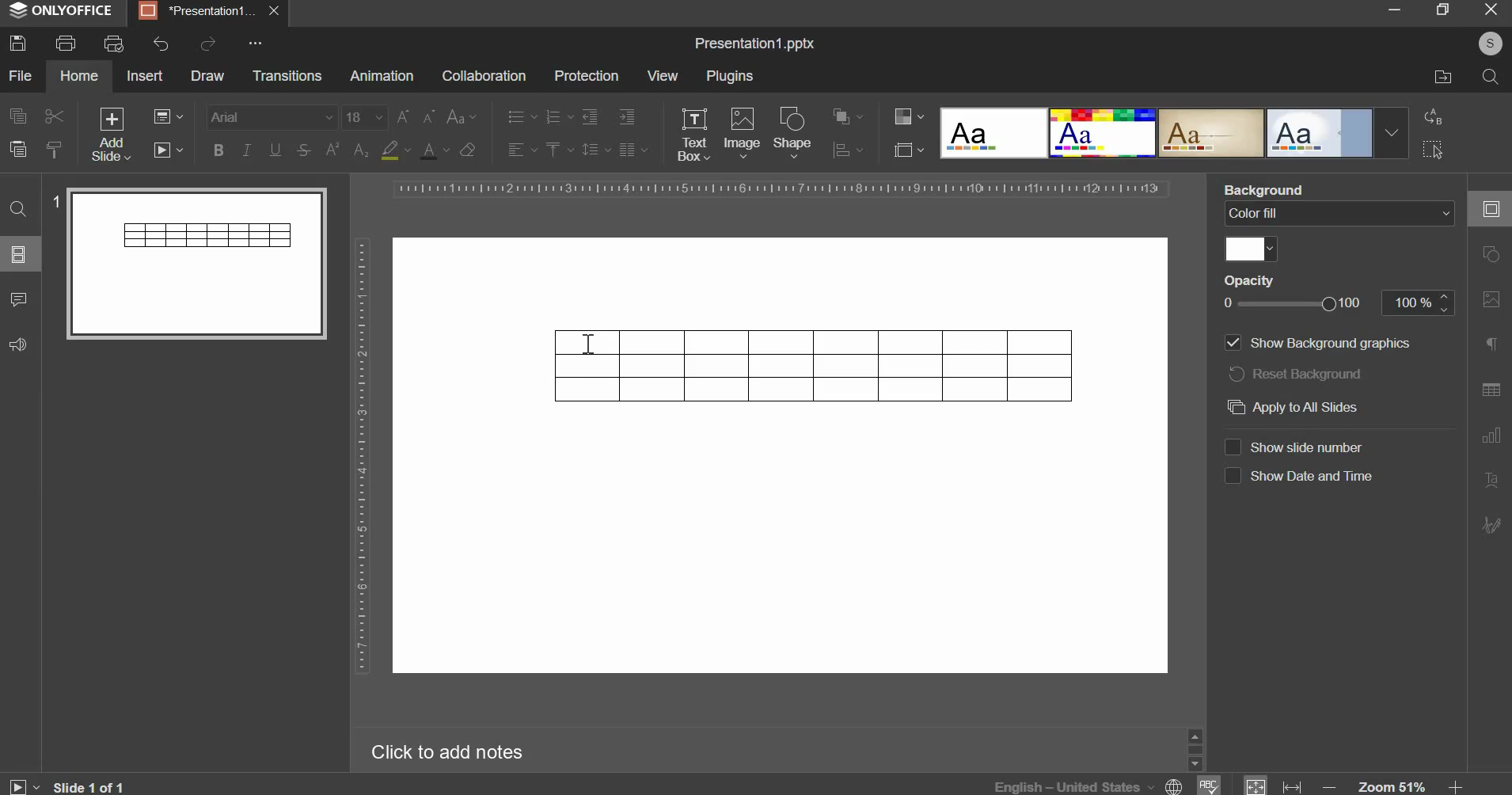  Describe the element at coordinates (443, 749) in the screenshot. I see `Click to add notes` at that location.